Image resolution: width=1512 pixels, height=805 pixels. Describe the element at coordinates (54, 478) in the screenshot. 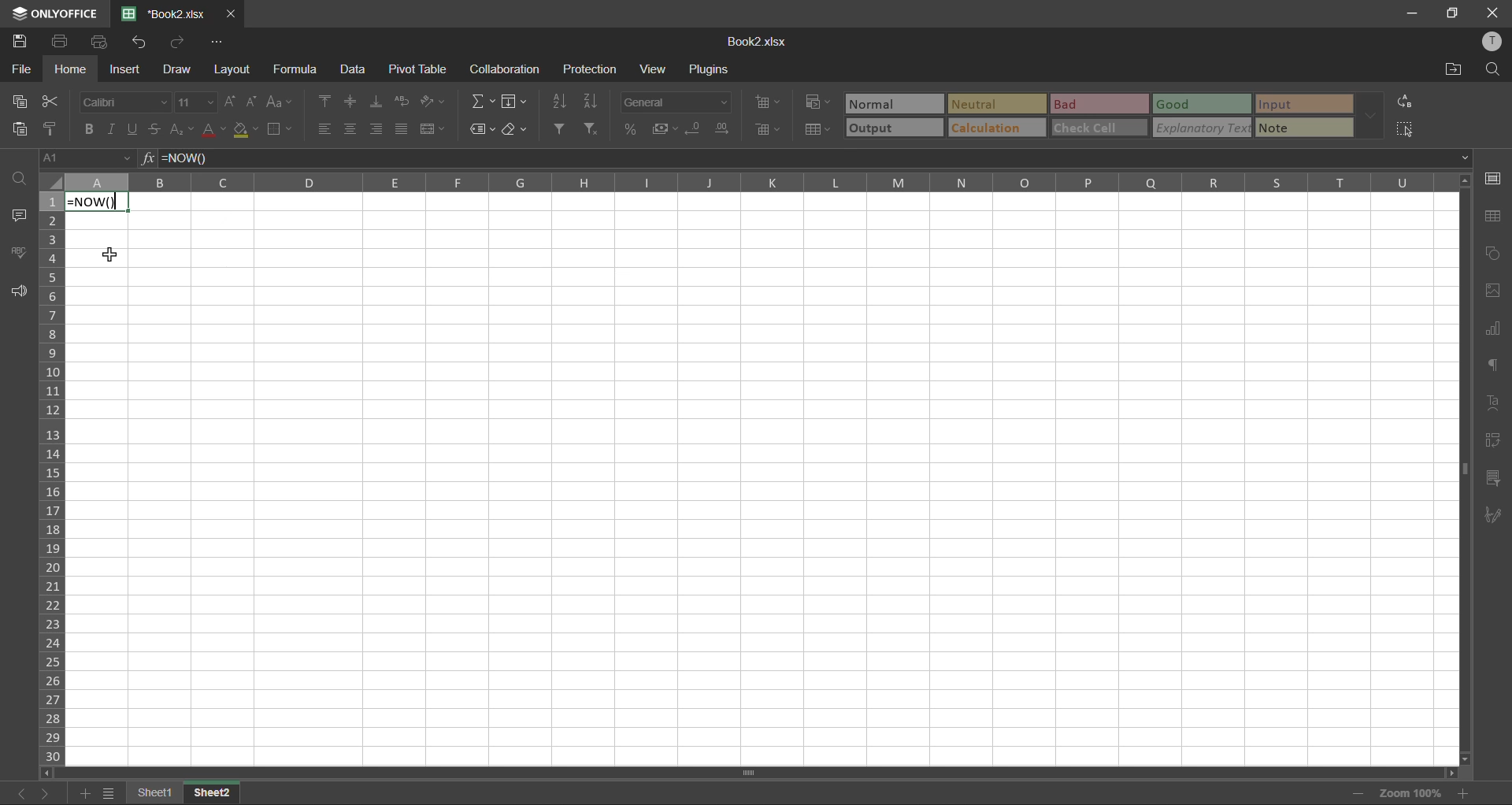

I see `row numbers` at that location.